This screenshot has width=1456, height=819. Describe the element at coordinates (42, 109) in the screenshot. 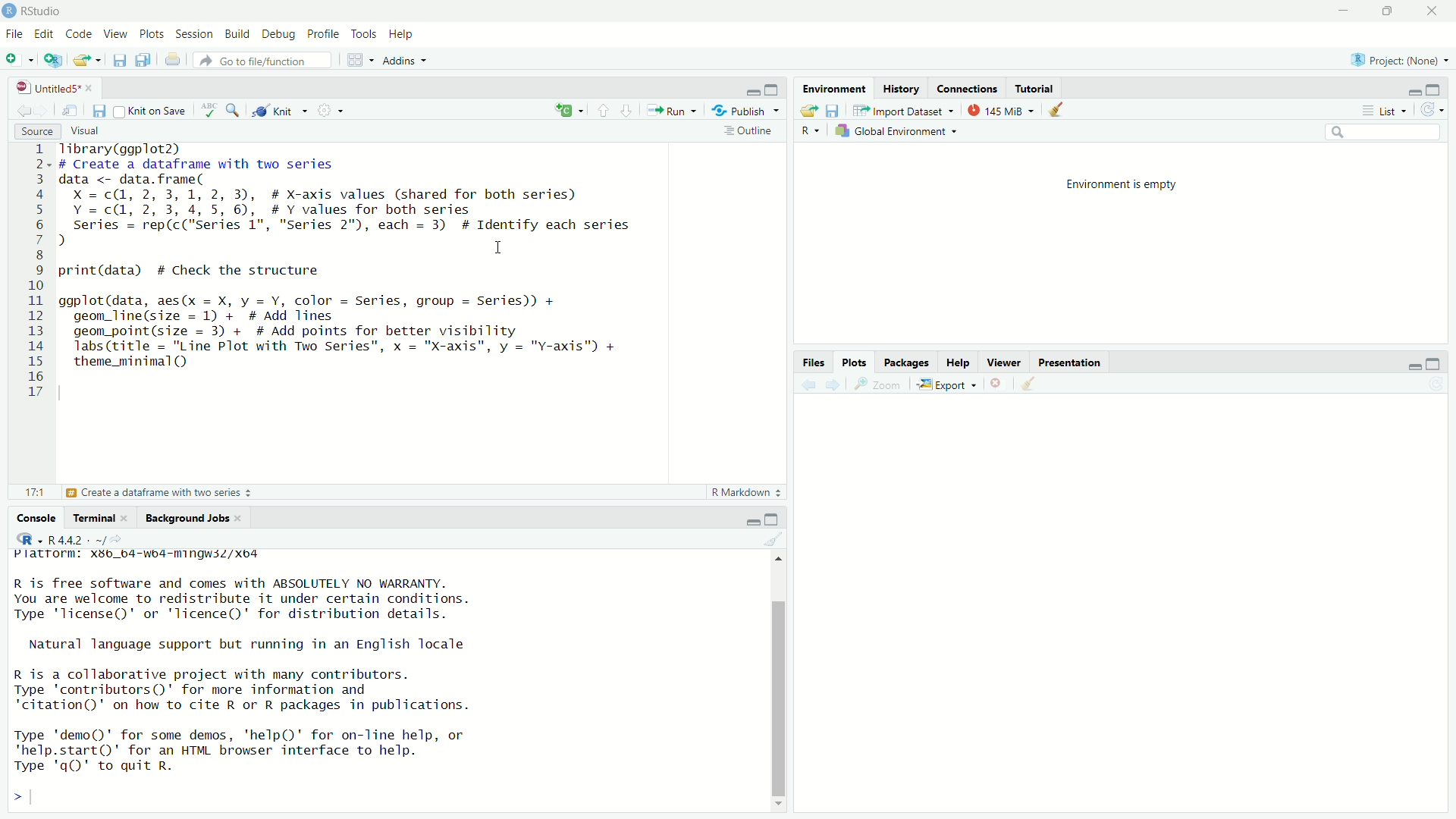

I see `Go forward to the next source selection` at that location.